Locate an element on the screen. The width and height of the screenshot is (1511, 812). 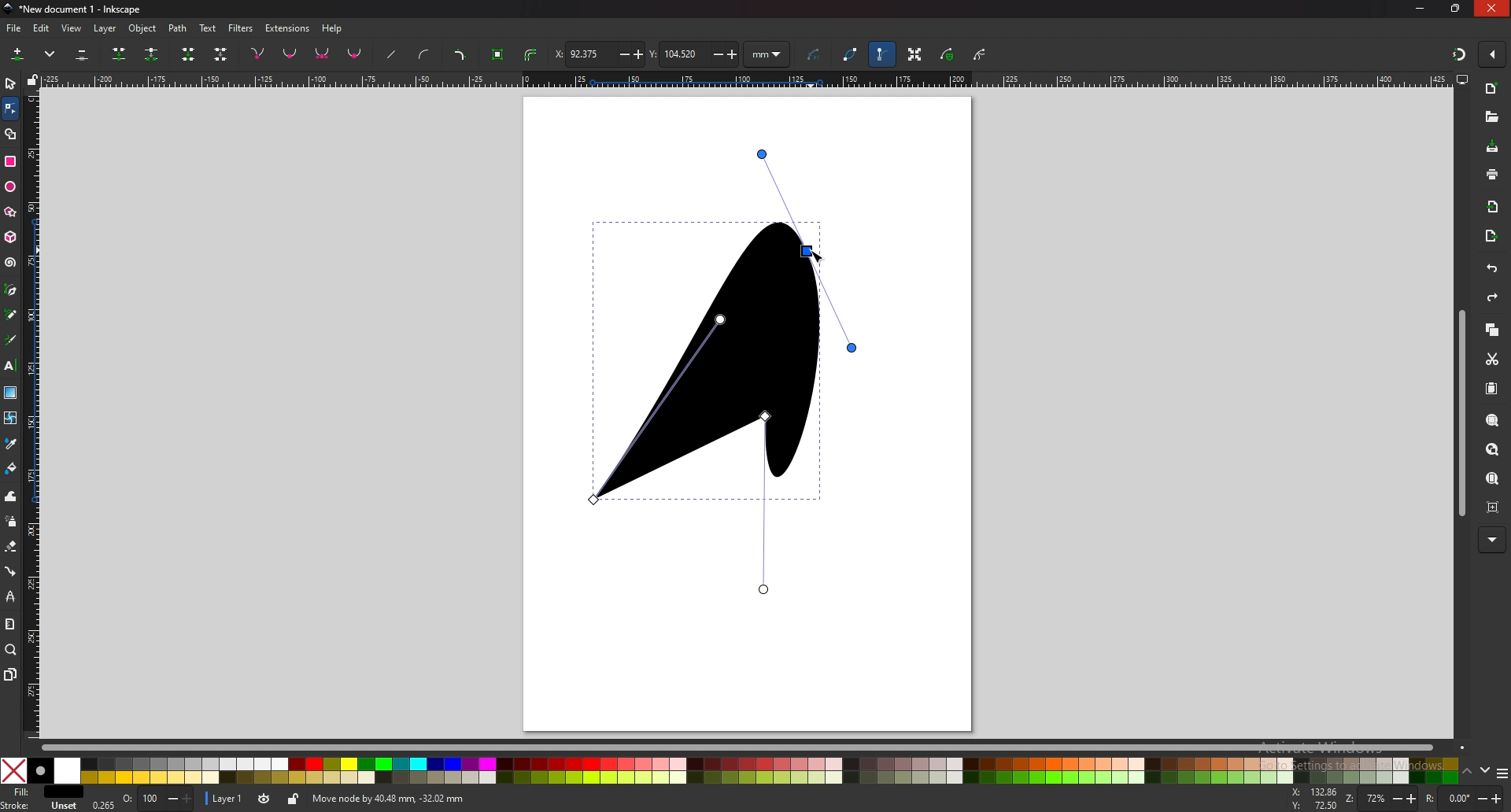
nodes symmetrical is located at coordinates (323, 54).